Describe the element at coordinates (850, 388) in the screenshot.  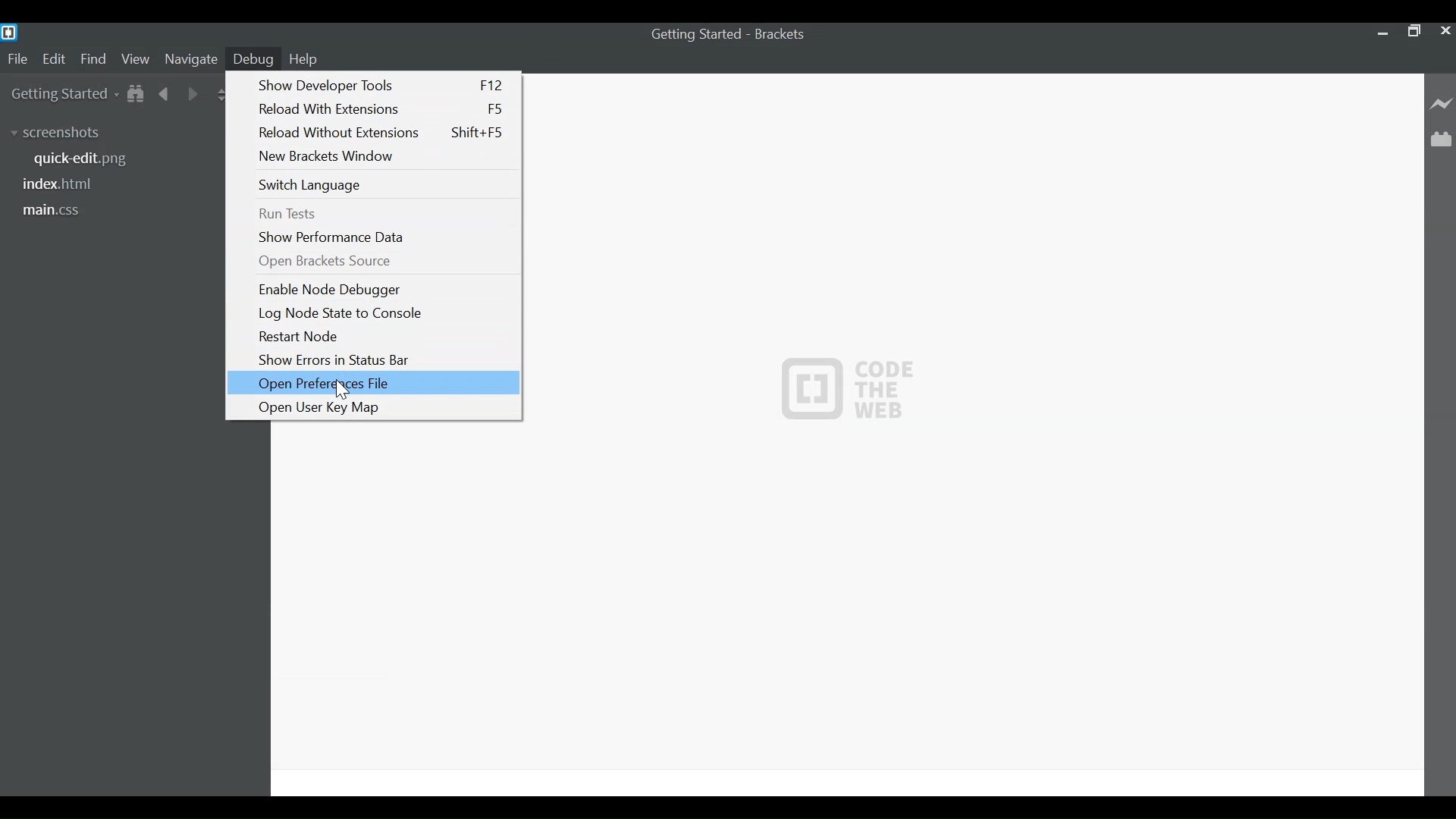
I see `Logo` at that location.